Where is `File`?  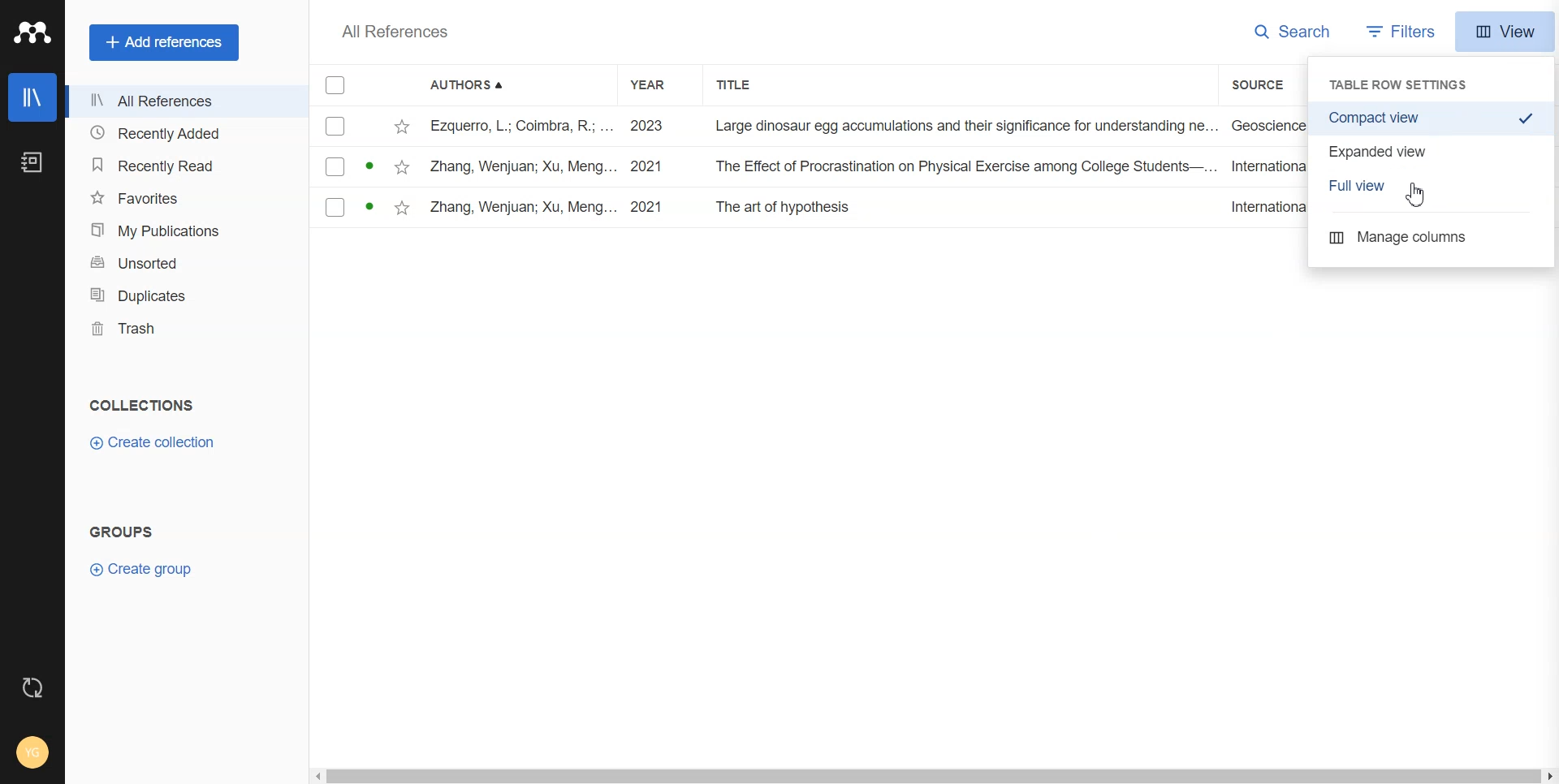
File is located at coordinates (810, 126).